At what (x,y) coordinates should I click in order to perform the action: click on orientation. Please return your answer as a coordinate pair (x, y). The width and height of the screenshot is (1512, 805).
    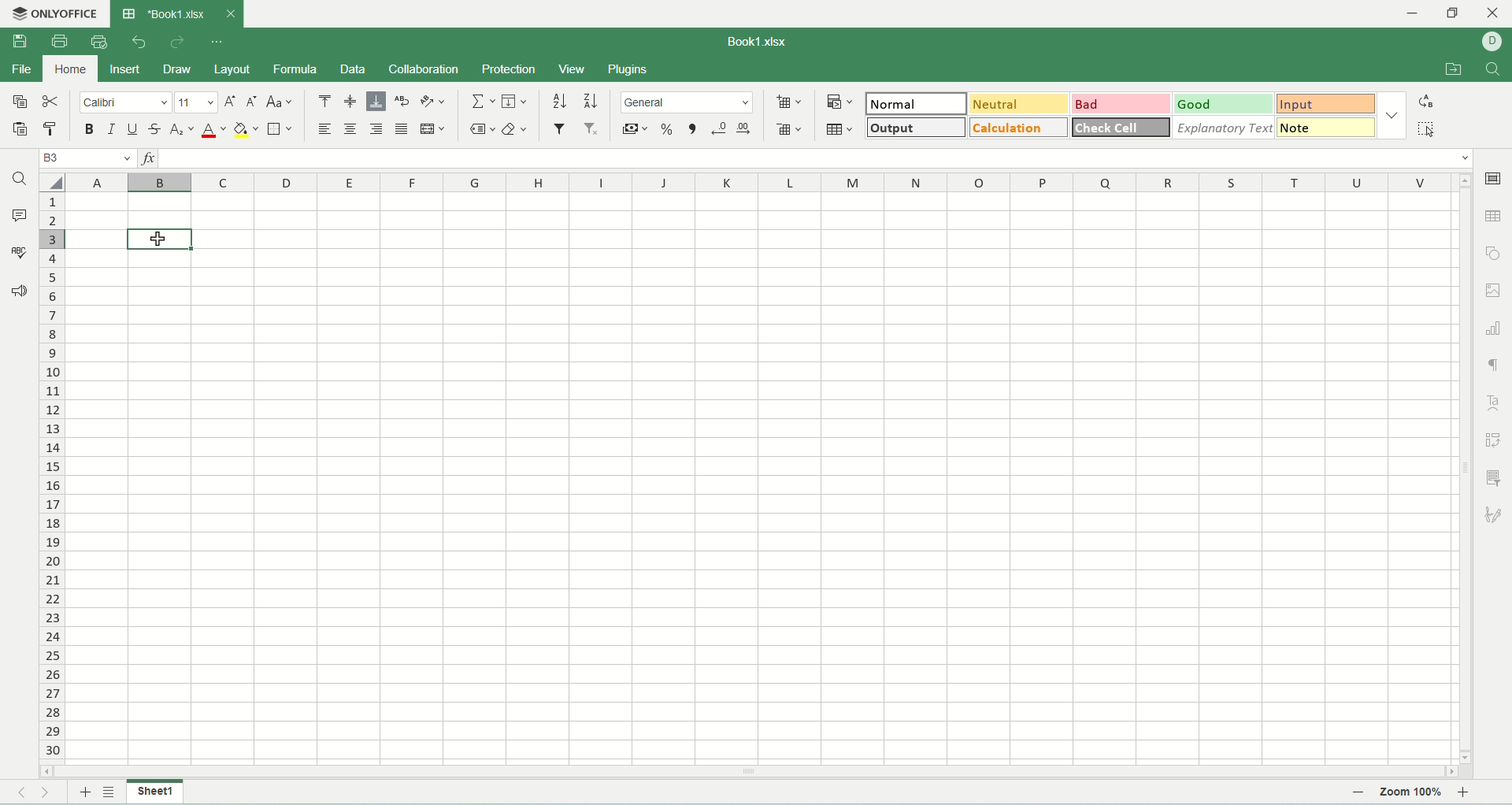
    Looking at the image, I should click on (433, 101).